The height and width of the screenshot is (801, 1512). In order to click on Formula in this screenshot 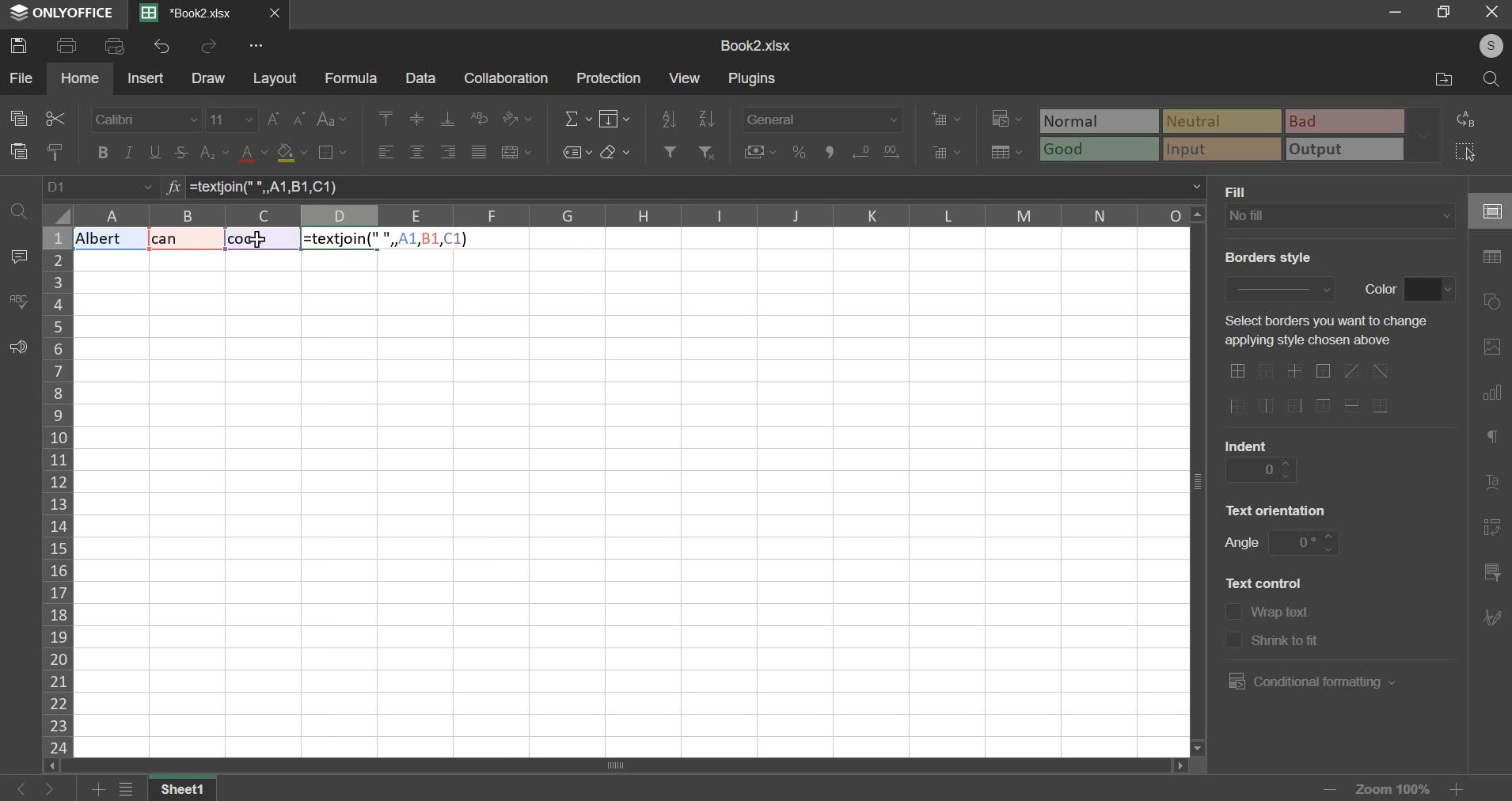, I will do `click(391, 241)`.